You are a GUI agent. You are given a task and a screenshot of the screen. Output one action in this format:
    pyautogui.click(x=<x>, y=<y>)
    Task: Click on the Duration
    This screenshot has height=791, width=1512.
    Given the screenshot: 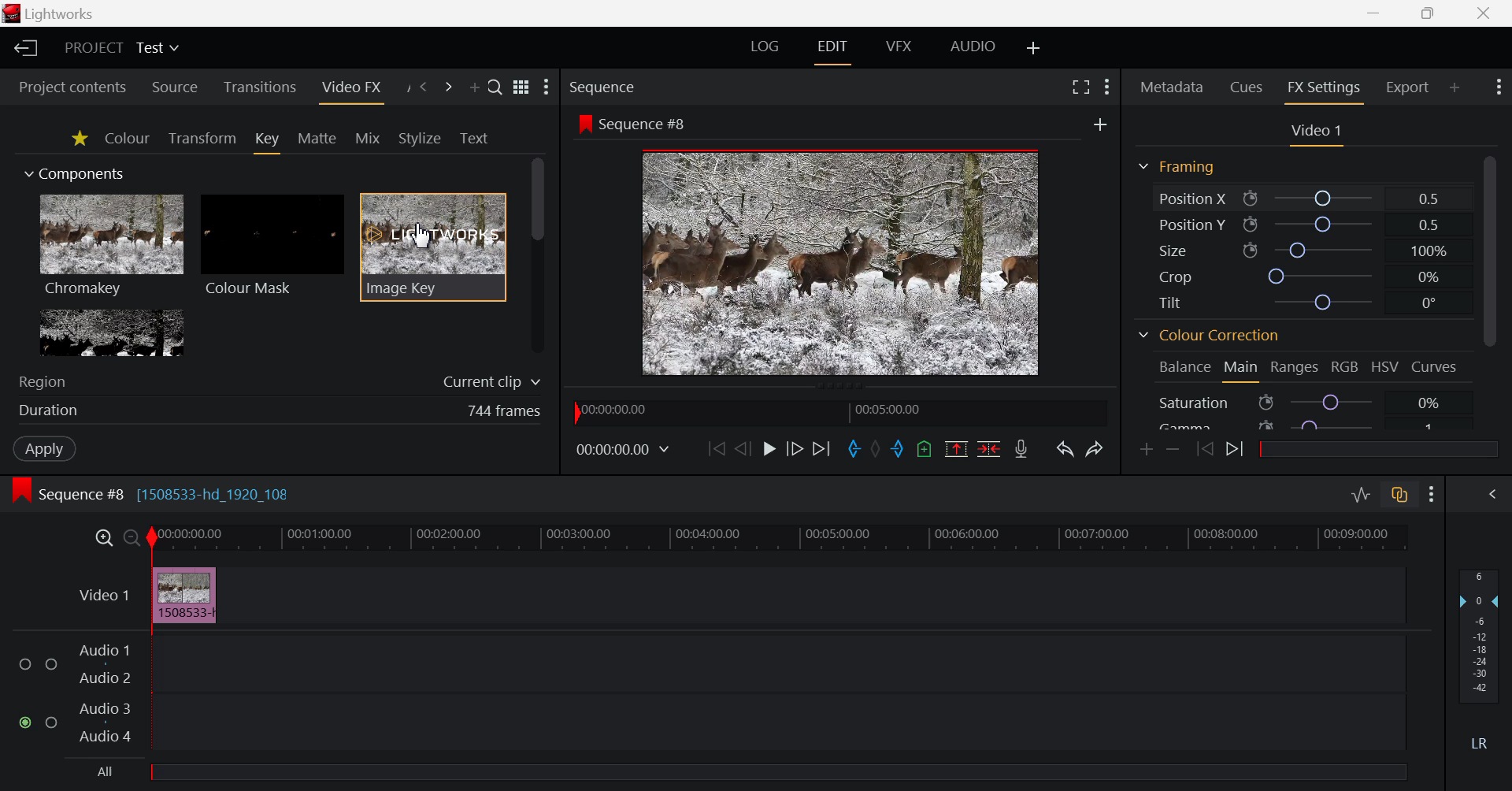 What is the action you would take?
    pyautogui.click(x=50, y=410)
    